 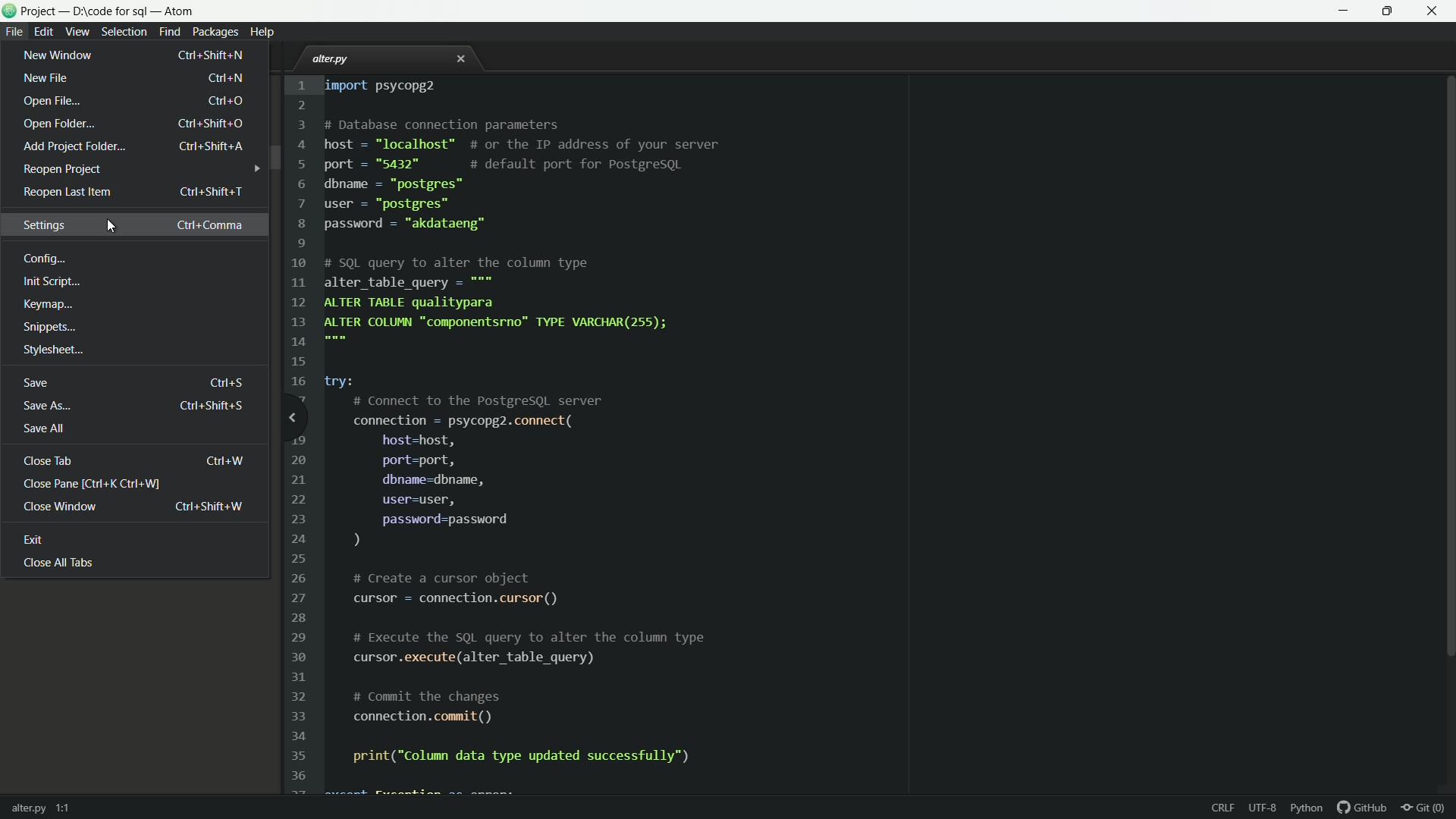 I want to click on open folder, so click(x=136, y=125).